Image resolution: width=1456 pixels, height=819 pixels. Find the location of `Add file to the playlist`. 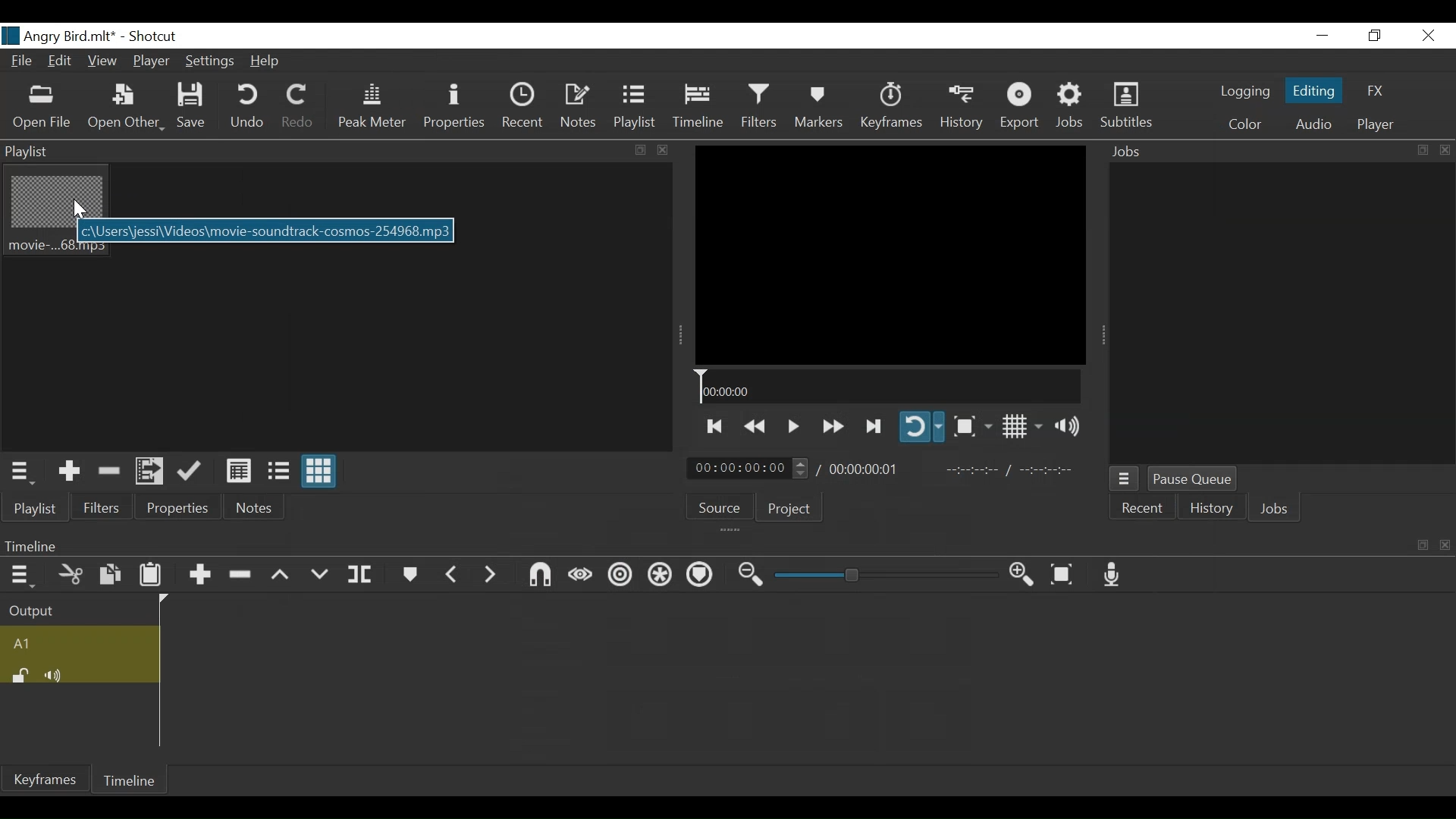

Add file to the playlist is located at coordinates (152, 472).